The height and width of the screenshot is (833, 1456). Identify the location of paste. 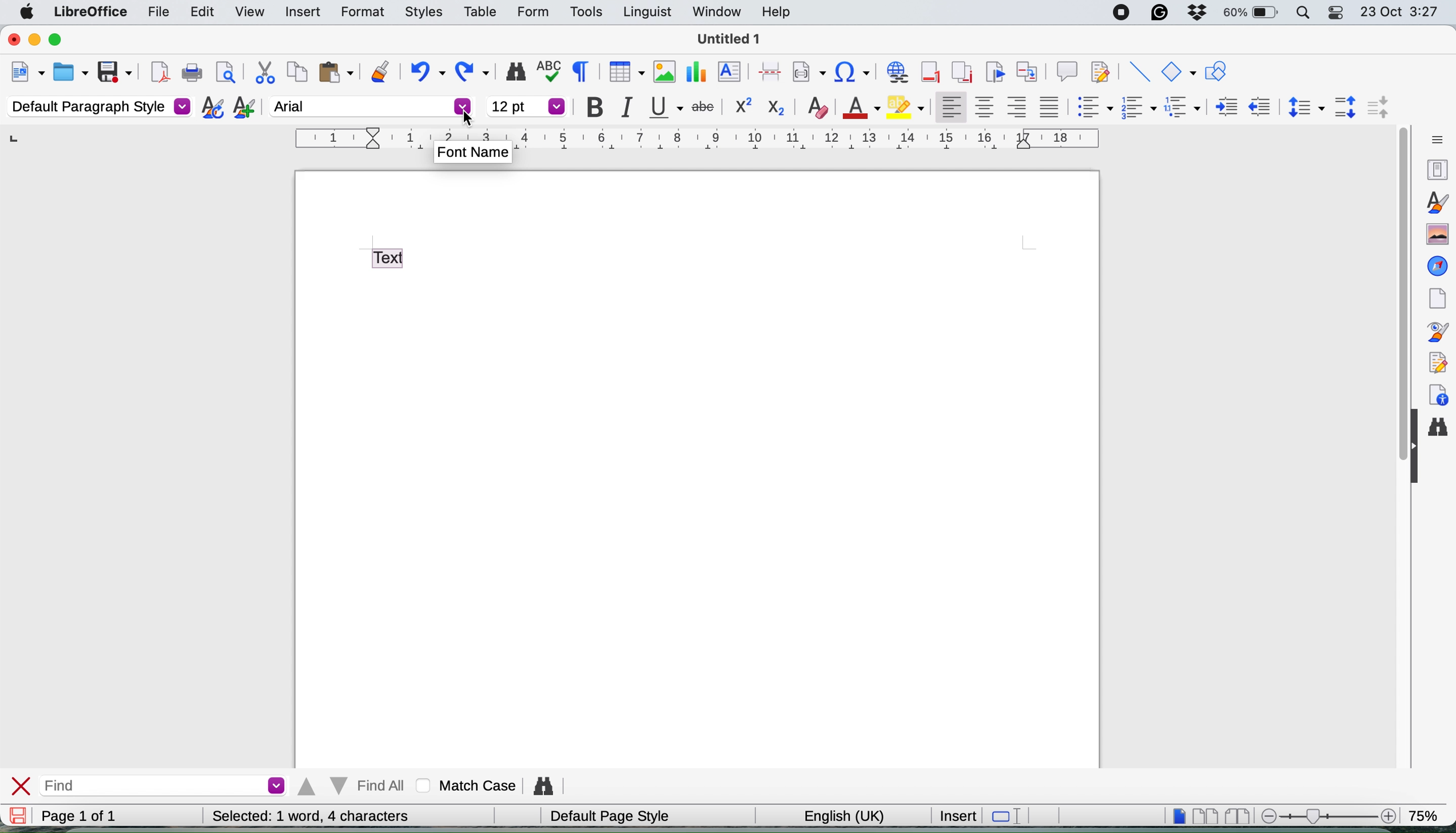
(335, 72).